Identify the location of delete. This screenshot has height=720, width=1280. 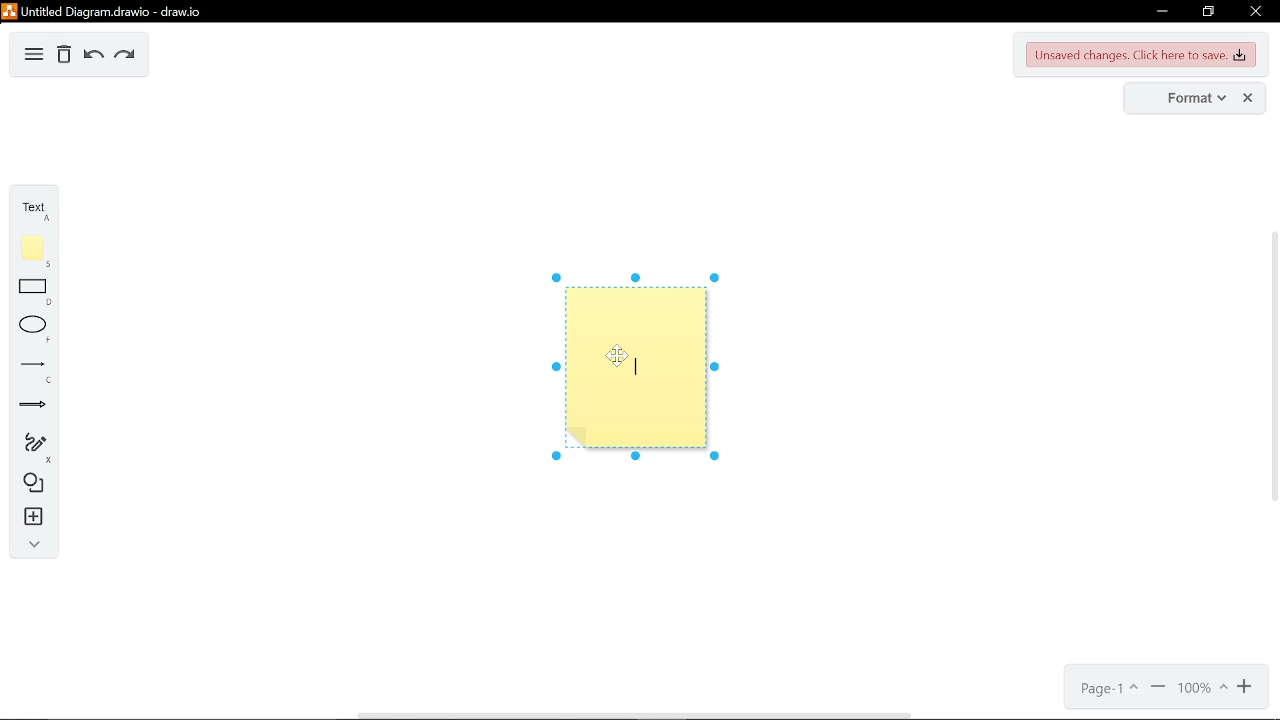
(64, 56).